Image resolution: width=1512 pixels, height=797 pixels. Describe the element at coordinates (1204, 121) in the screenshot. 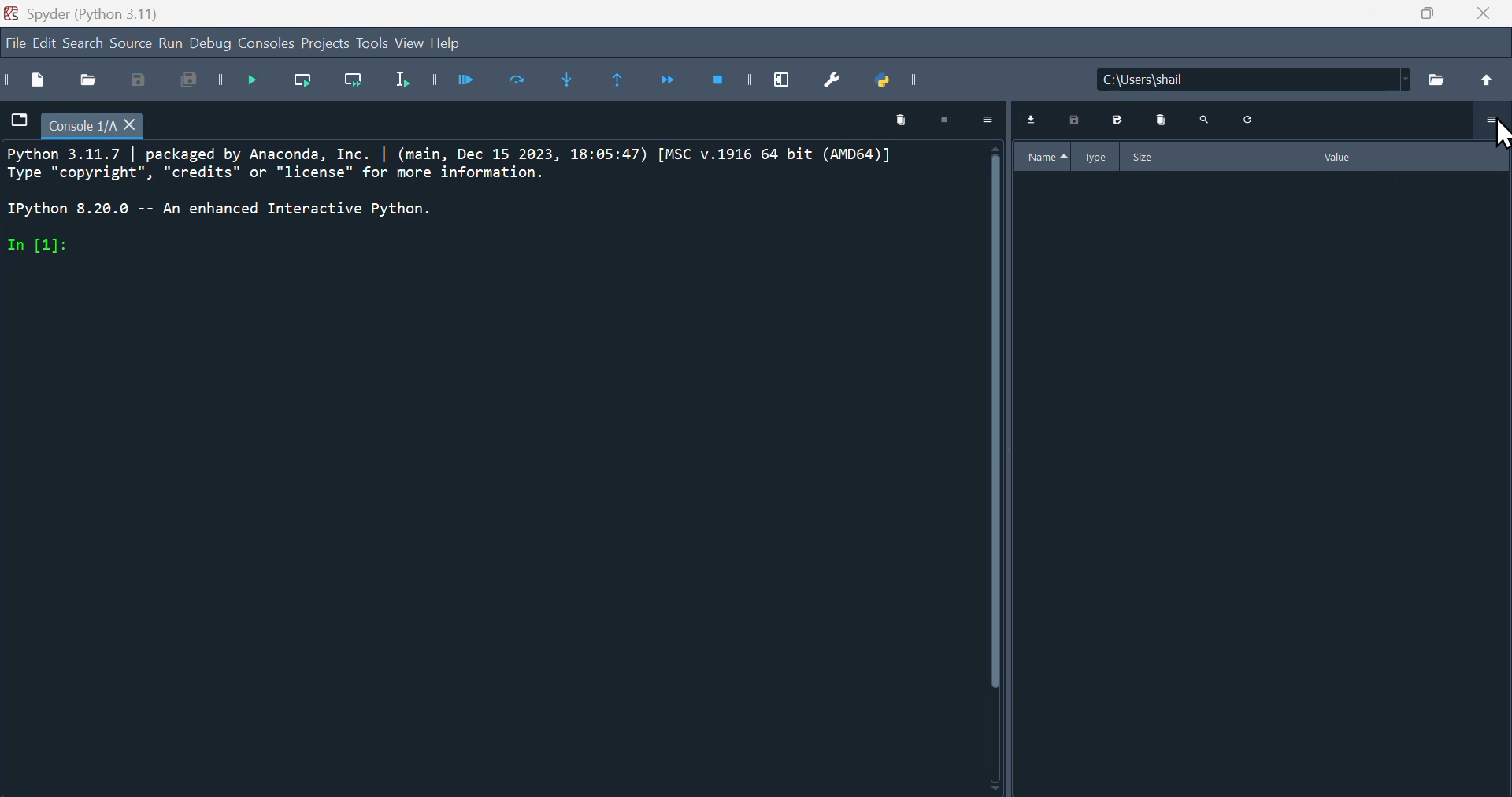

I see `Search` at that location.